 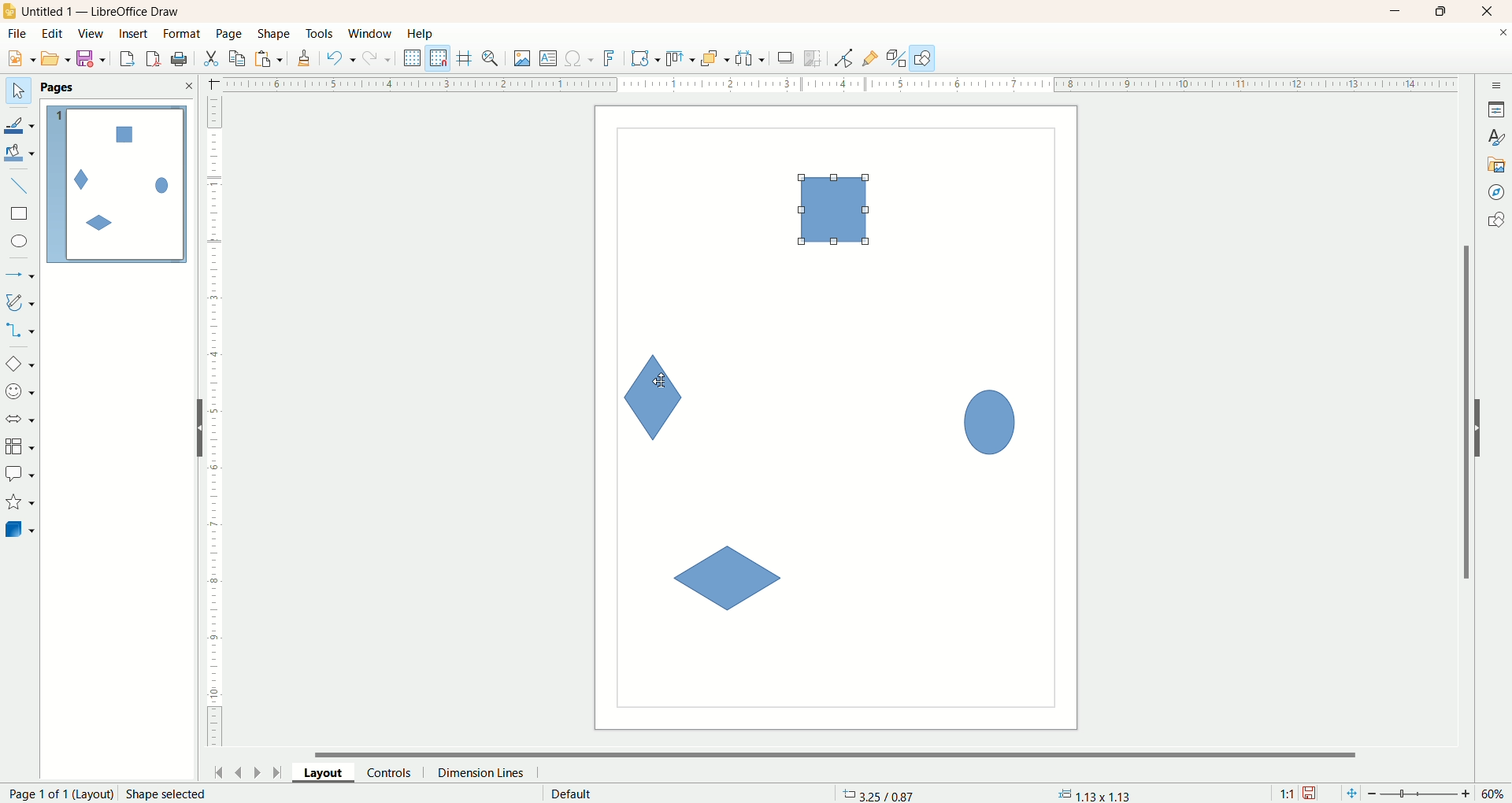 I want to click on next page, so click(x=258, y=772).